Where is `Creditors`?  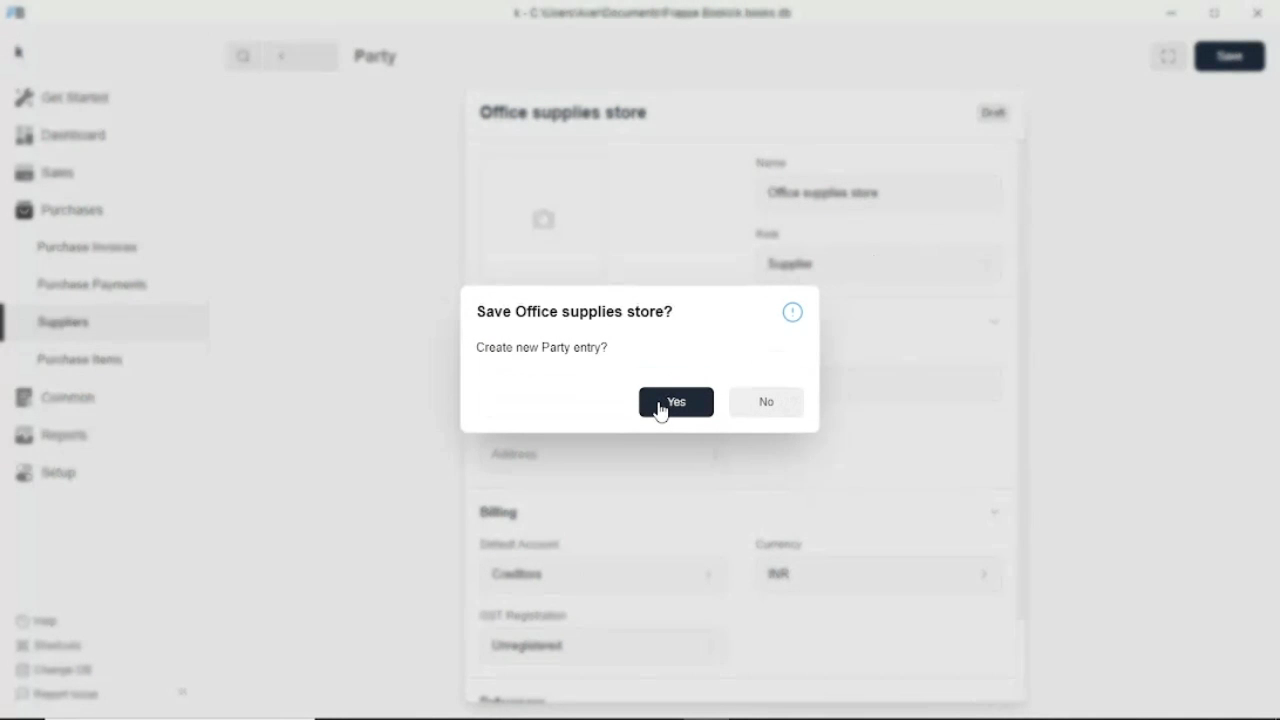
Creditors is located at coordinates (603, 575).